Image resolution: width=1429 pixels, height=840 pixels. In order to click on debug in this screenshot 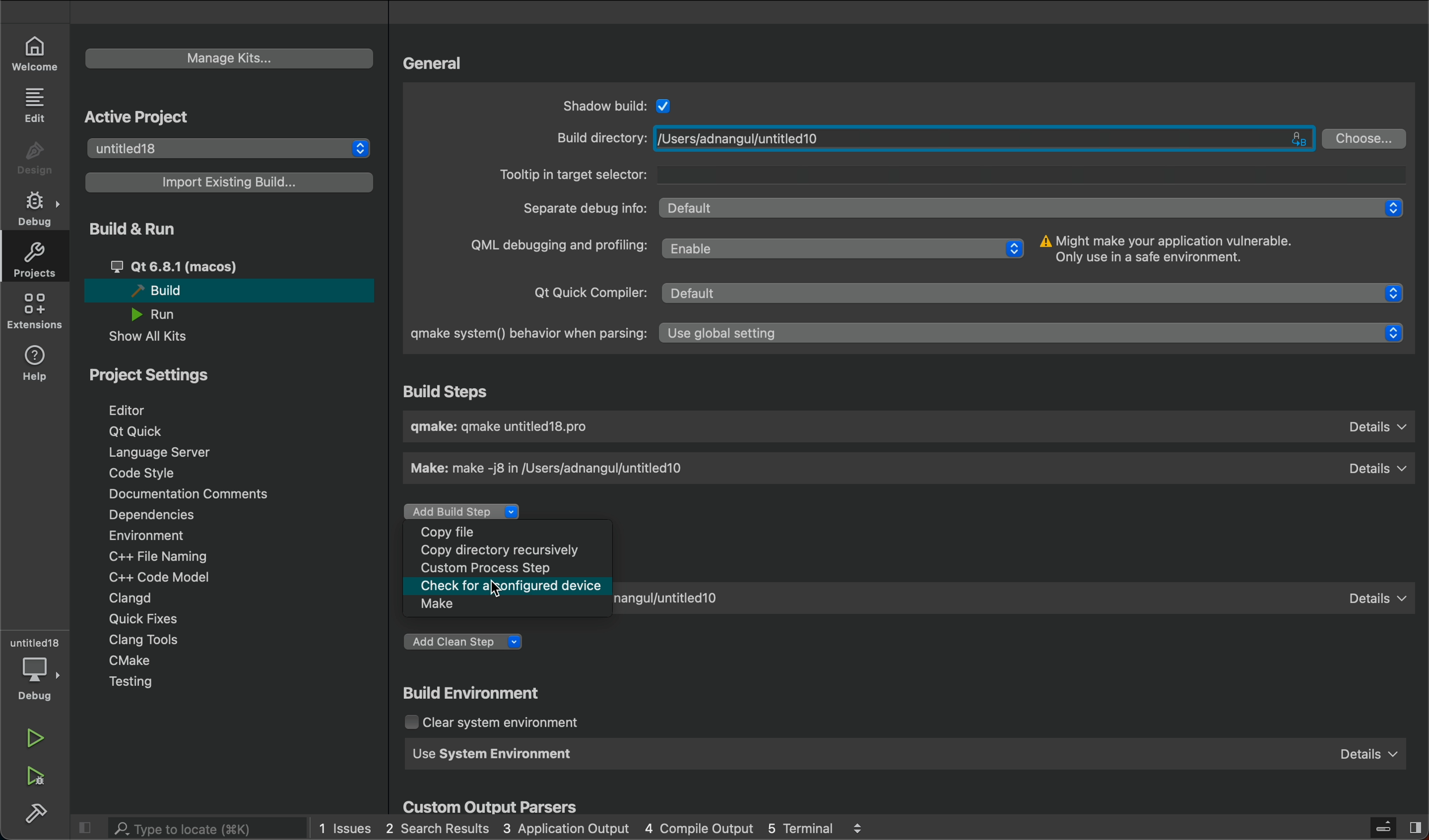, I will do `click(38, 207)`.